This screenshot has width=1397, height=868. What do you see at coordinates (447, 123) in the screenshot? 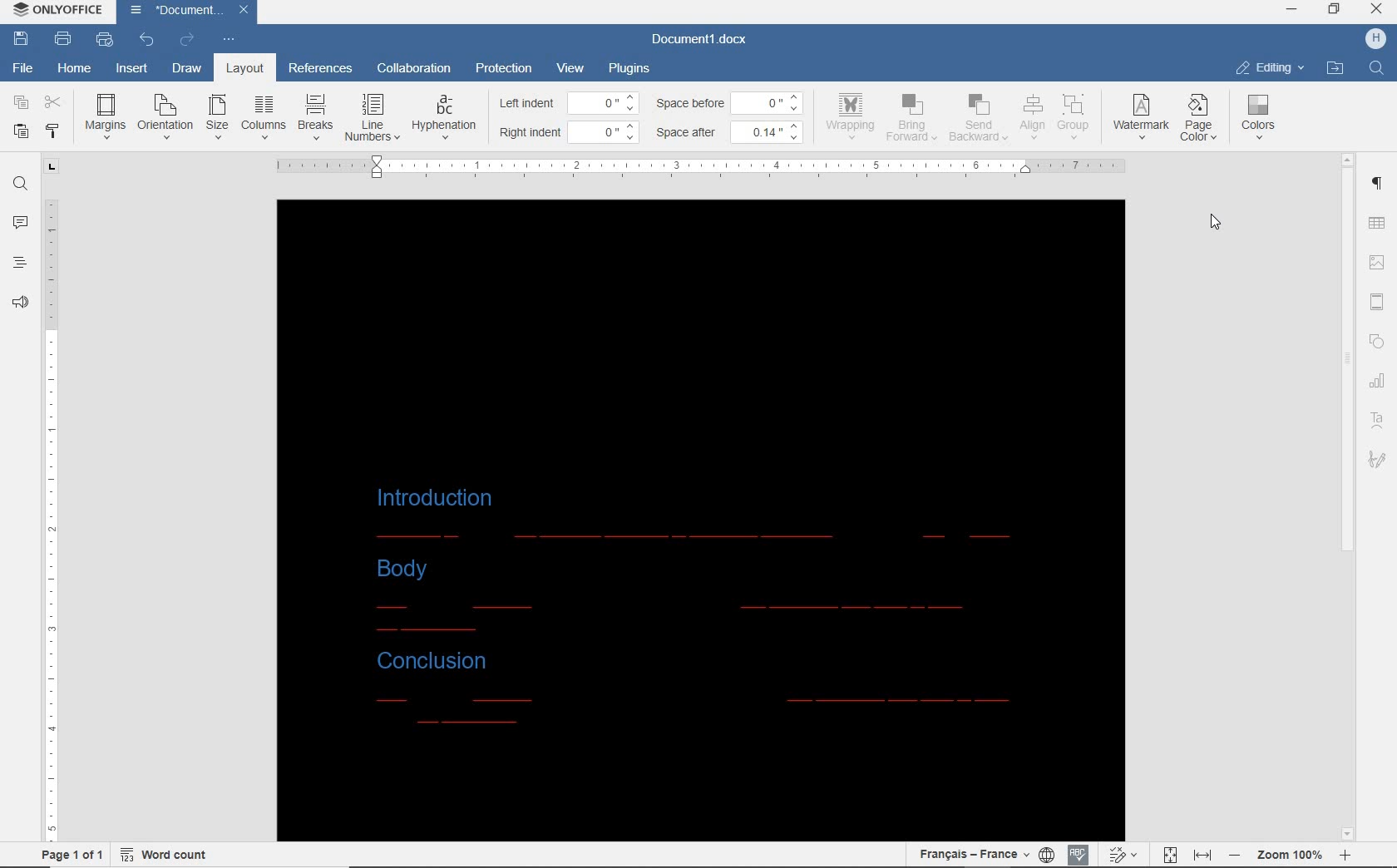
I see `hyphenation` at bounding box center [447, 123].